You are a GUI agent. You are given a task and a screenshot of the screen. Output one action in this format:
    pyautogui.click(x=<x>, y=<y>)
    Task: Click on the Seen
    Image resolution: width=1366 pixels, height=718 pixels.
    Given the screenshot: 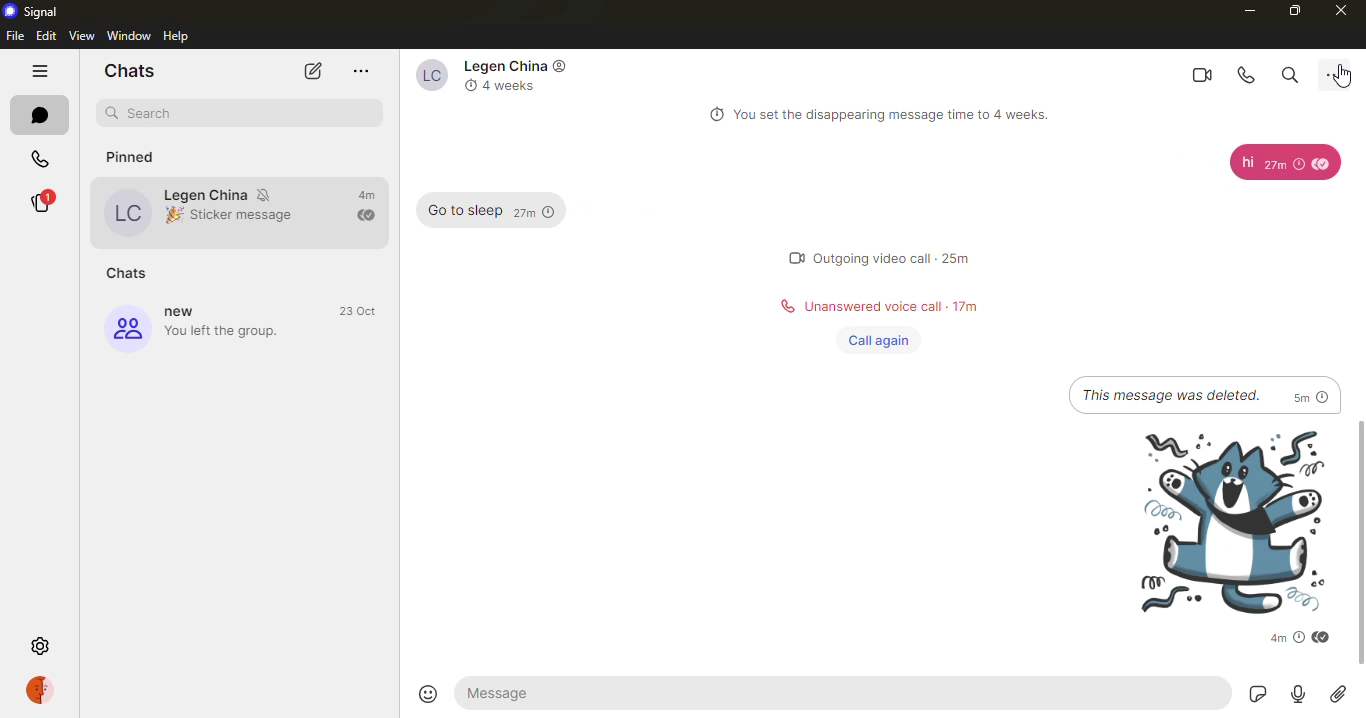 What is the action you would take?
    pyautogui.click(x=1323, y=639)
    